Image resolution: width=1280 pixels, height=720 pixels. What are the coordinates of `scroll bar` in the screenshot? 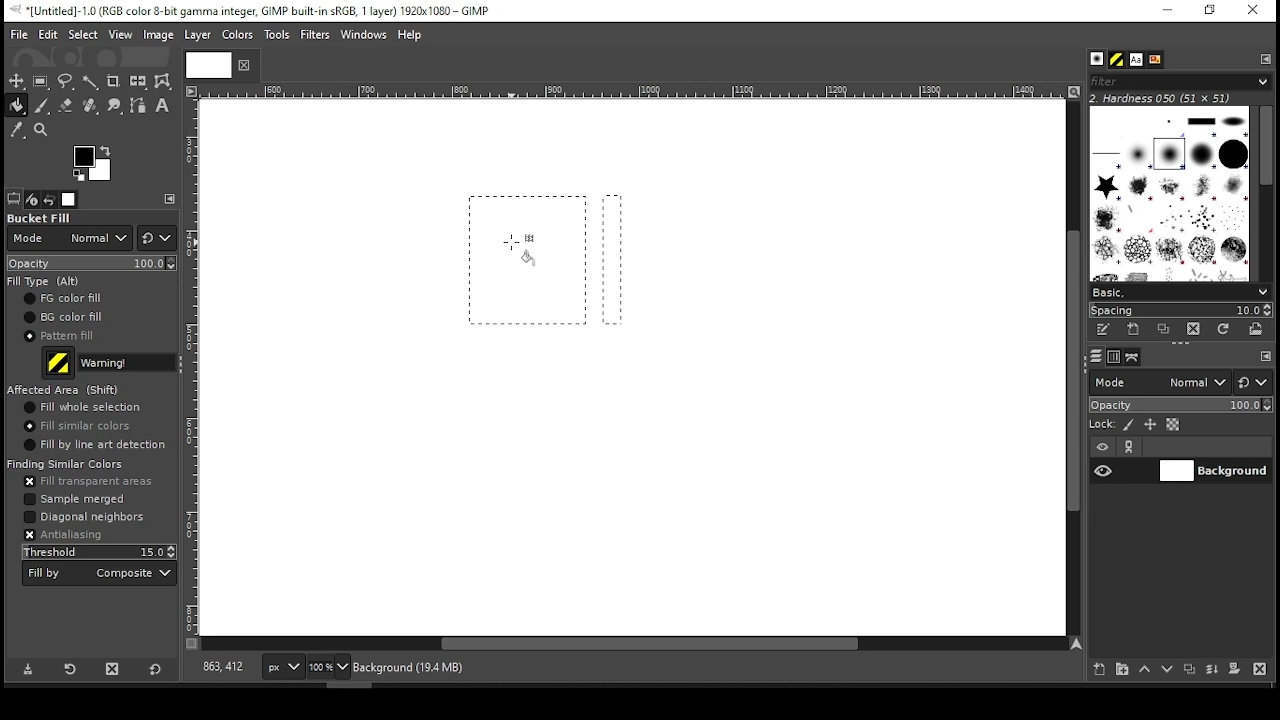 It's located at (634, 645).